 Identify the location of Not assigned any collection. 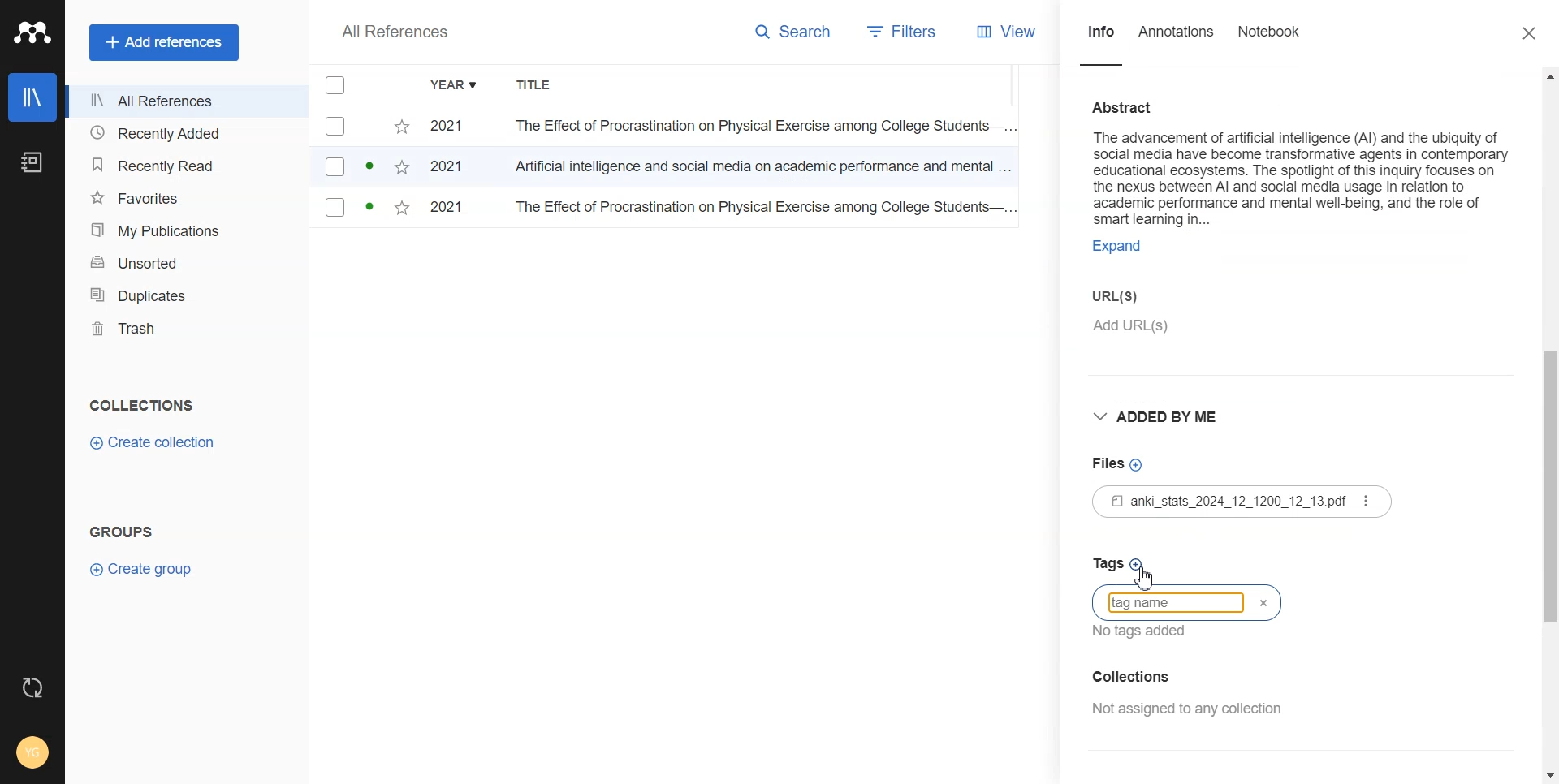
(1186, 709).